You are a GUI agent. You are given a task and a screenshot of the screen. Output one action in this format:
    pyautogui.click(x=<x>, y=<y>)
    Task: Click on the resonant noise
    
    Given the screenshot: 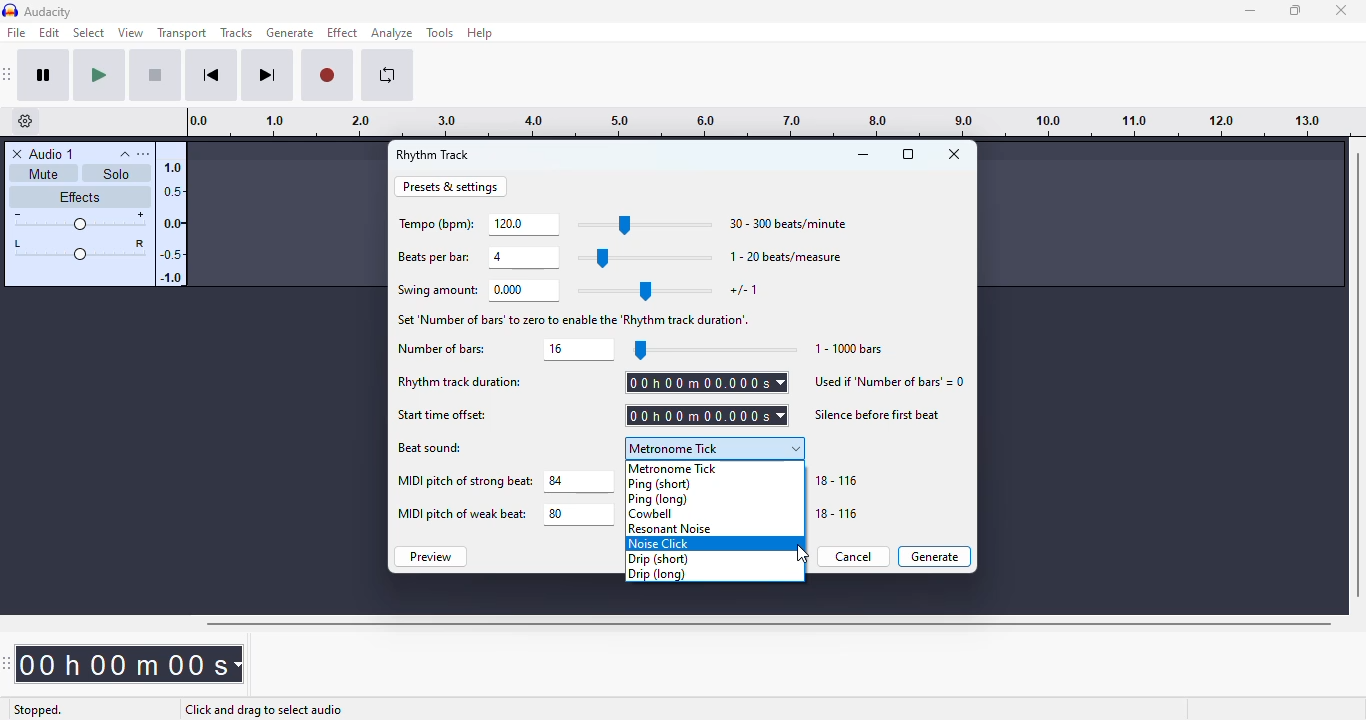 What is the action you would take?
    pyautogui.click(x=711, y=529)
    